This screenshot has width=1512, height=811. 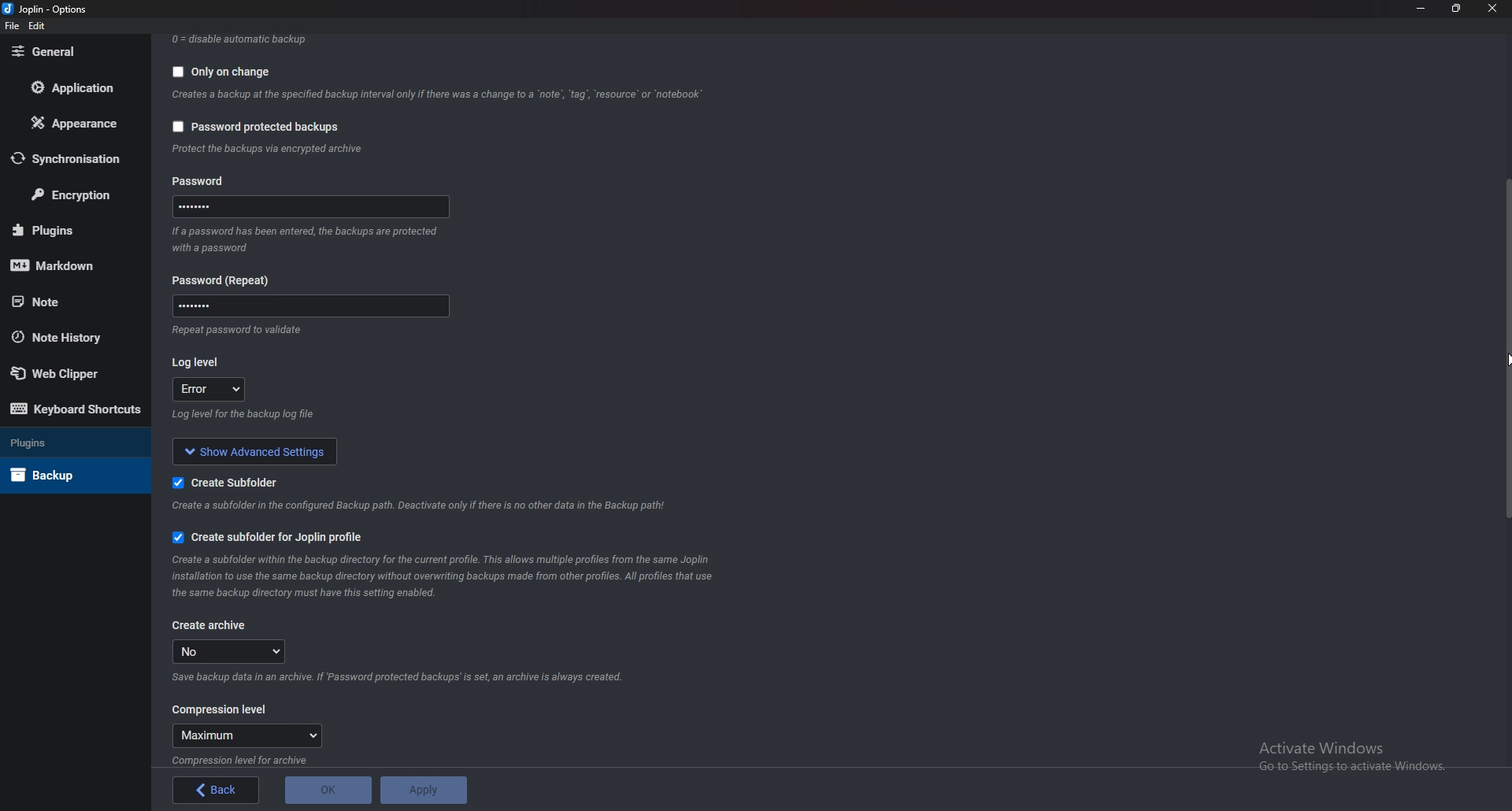 What do you see at coordinates (73, 52) in the screenshot?
I see `General` at bounding box center [73, 52].